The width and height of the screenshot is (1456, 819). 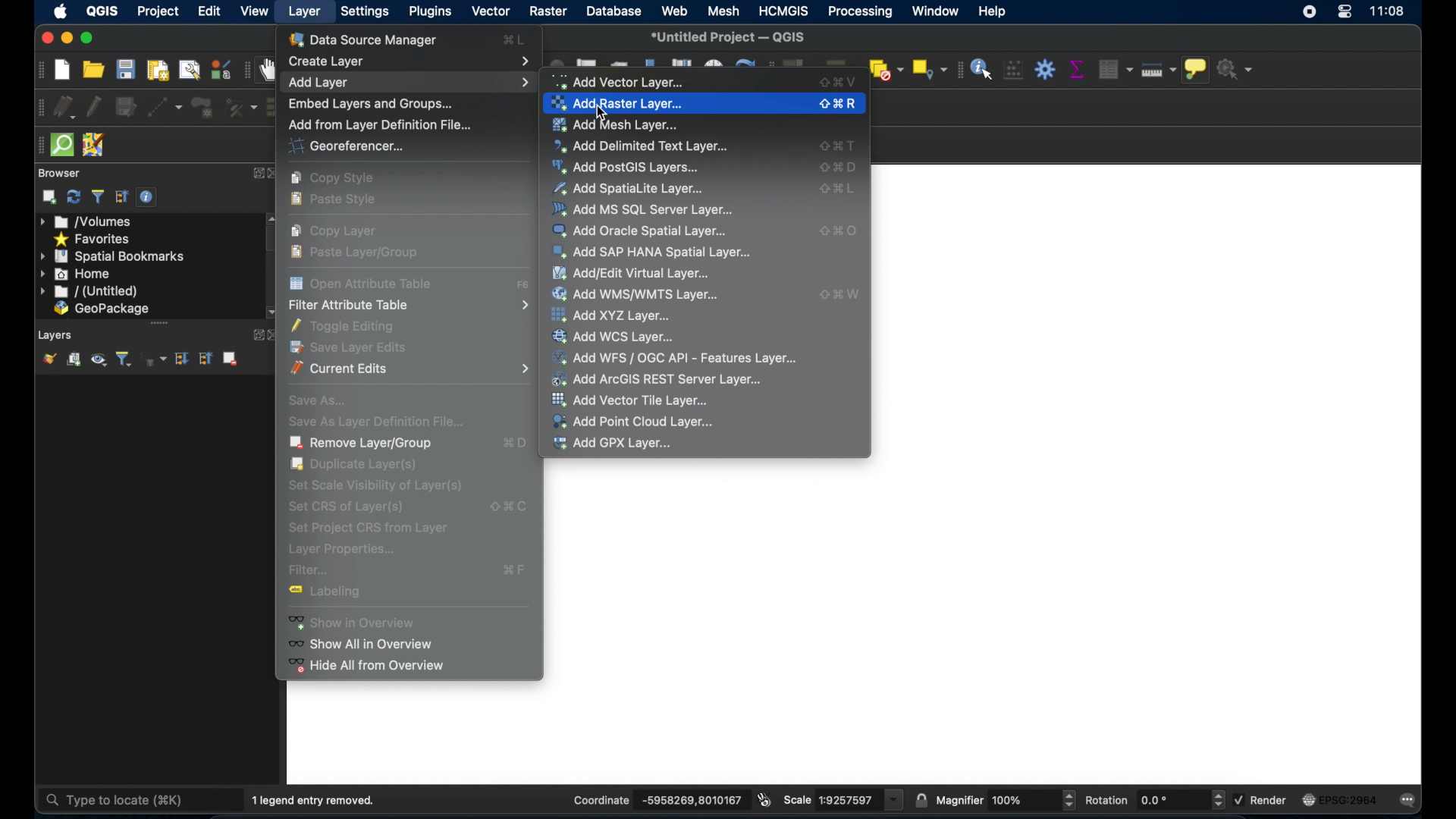 What do you see at coordinates (44, 39) in the screenshot?
I see `close` at bounding box center [44, 39].